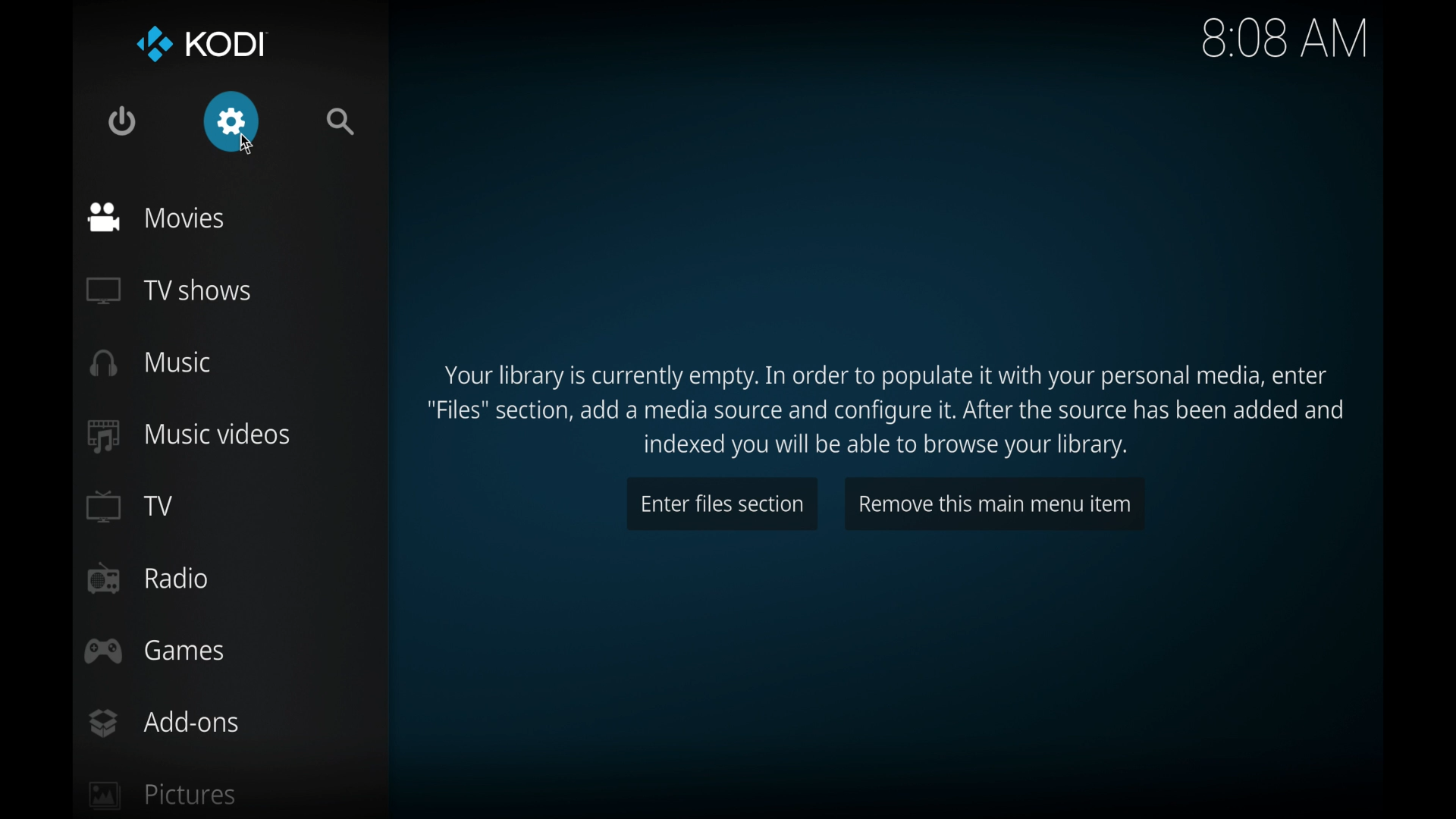 This screenshot has width=1456, height=819. I want to click on 8.08 am, so click(1288, 38).